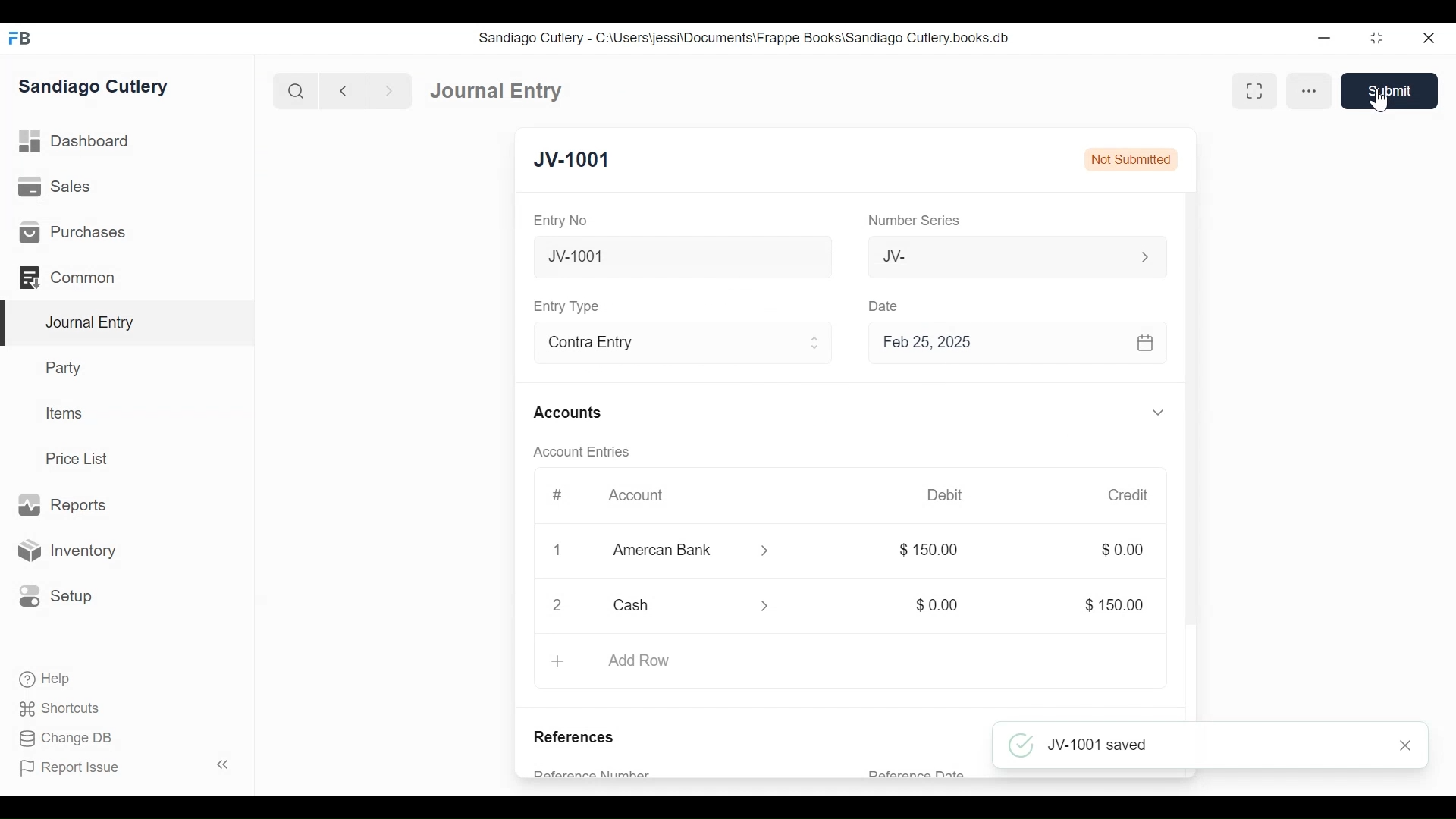 This screenshot has width=1456, height=819. What do you see at coordinates (555, 550) in the screenshot?
I see `1` at bounding box center [555, 550].